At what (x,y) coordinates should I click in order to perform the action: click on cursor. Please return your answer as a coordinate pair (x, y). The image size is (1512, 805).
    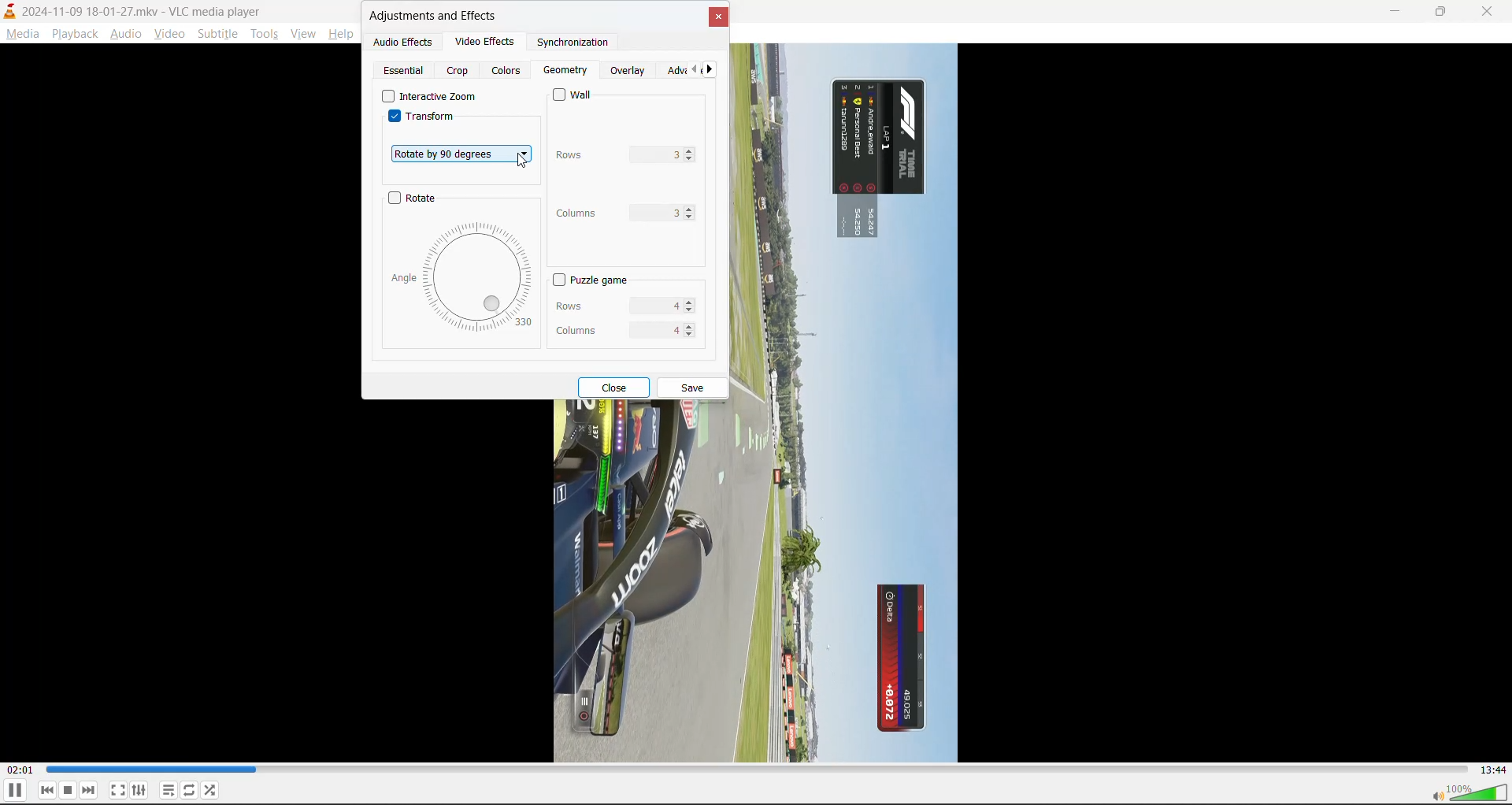
    Looking at the image, I should click on (523, 161).